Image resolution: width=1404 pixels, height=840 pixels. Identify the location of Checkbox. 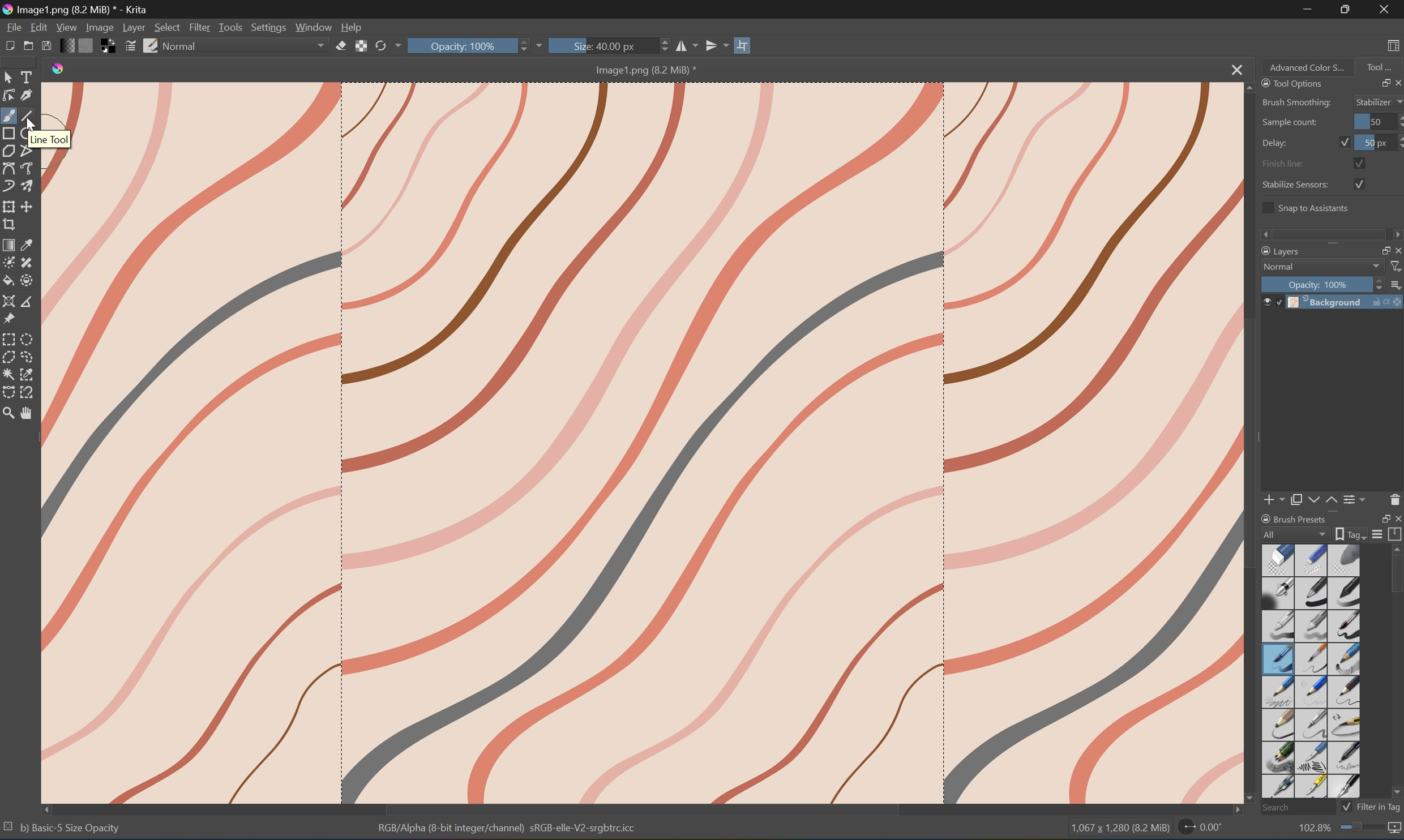
(1345, 807).